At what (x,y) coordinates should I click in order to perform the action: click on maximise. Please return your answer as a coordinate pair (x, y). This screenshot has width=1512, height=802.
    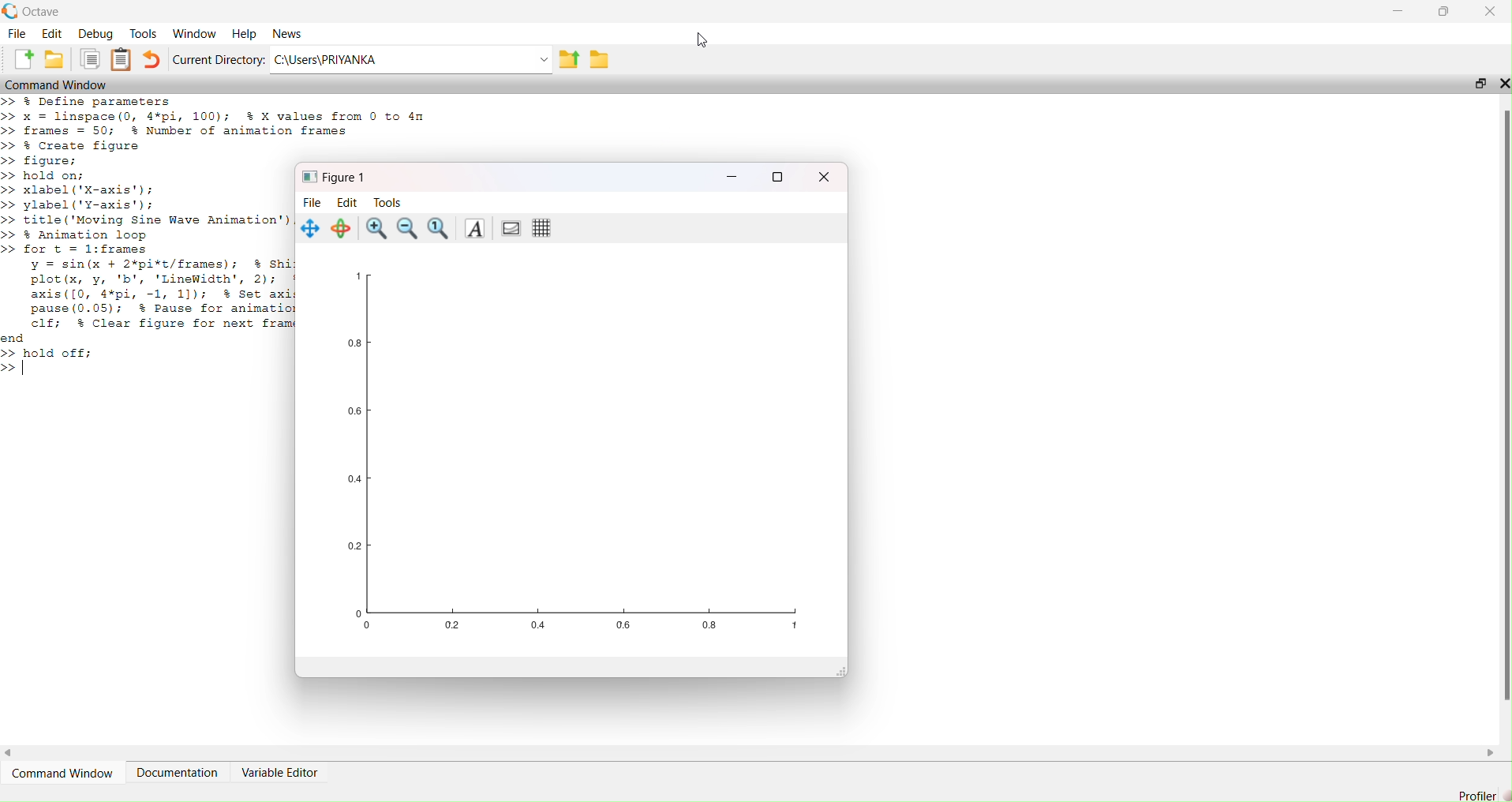
    Looking at the image, I should click on (1450, 13).